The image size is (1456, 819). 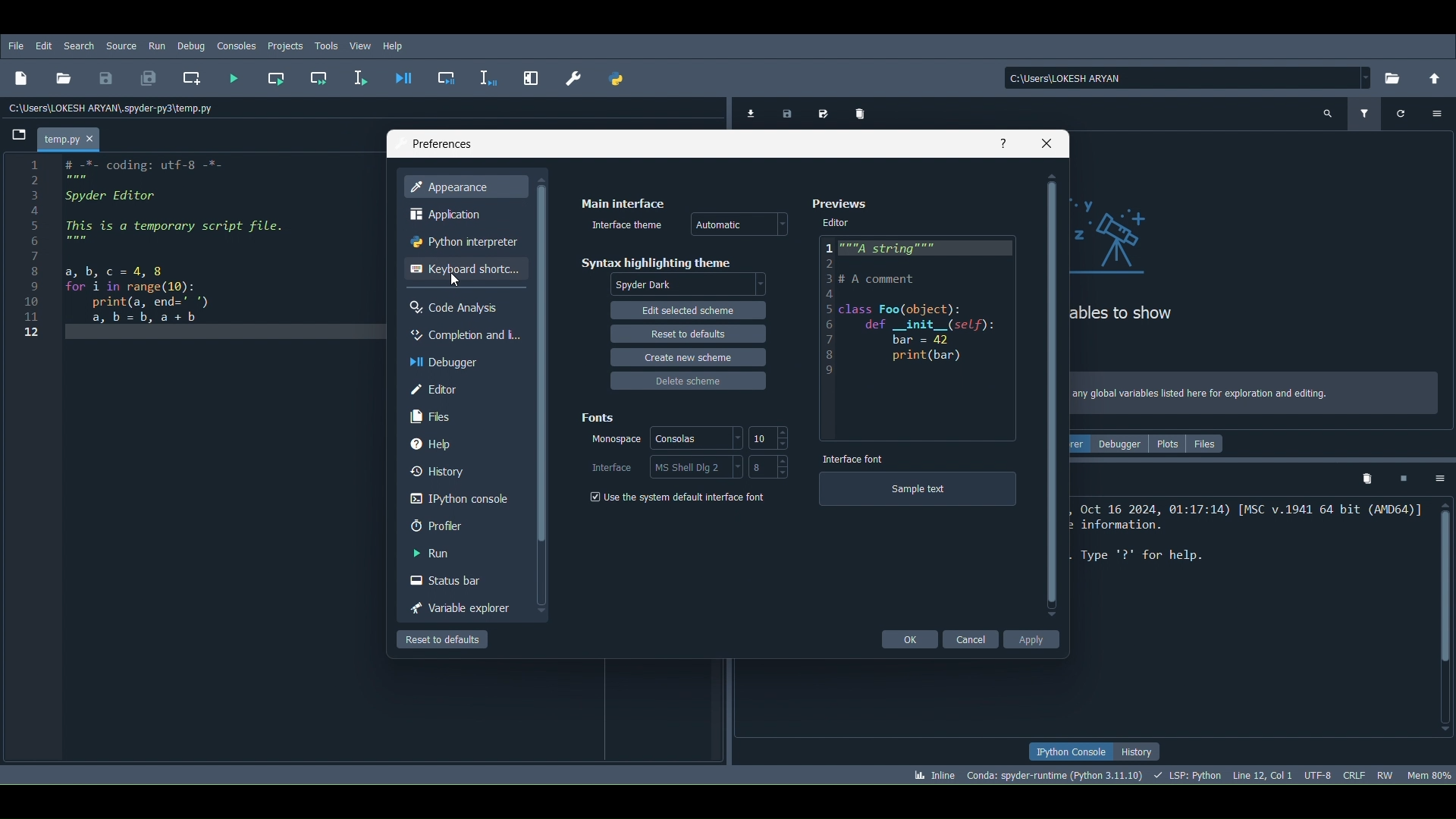 What do you see at coordinates (910, 639) in the screenshot?
I see `Ok` at bounding box center [910, 639].